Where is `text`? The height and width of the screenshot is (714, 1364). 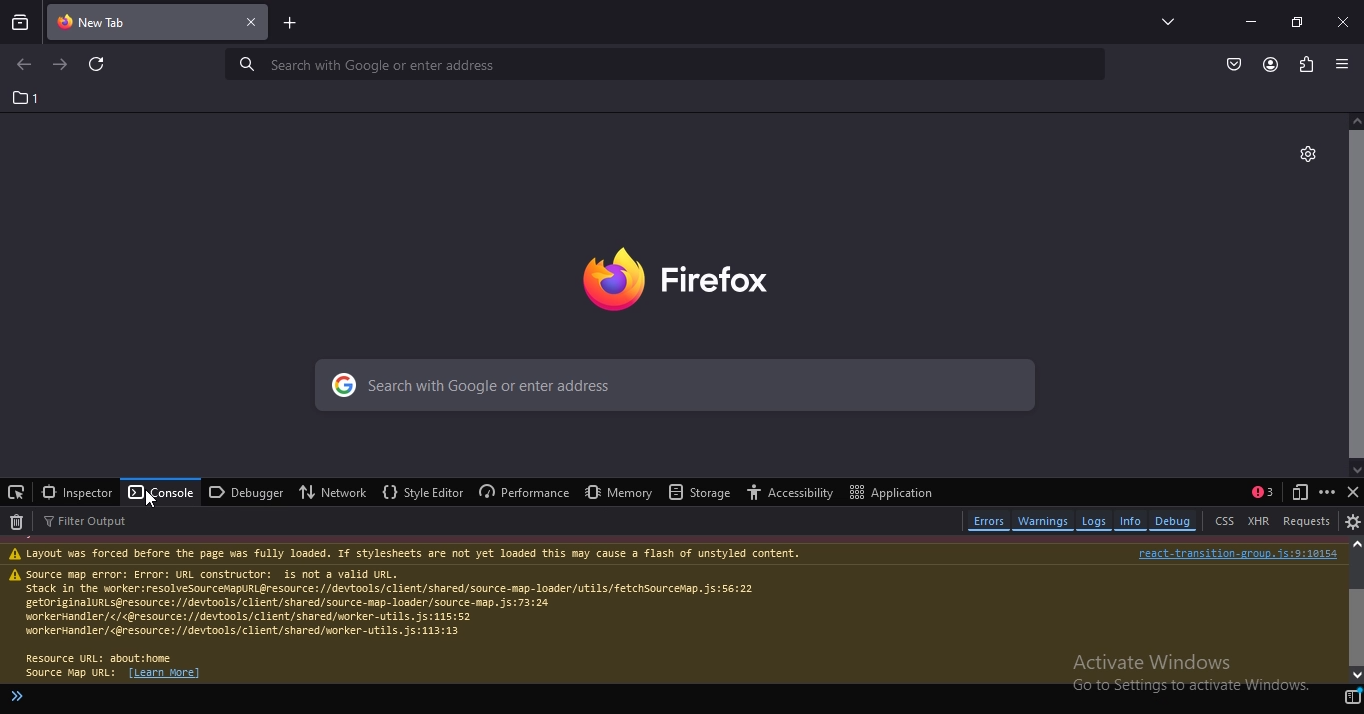 text is located at coordinates (672, 614).